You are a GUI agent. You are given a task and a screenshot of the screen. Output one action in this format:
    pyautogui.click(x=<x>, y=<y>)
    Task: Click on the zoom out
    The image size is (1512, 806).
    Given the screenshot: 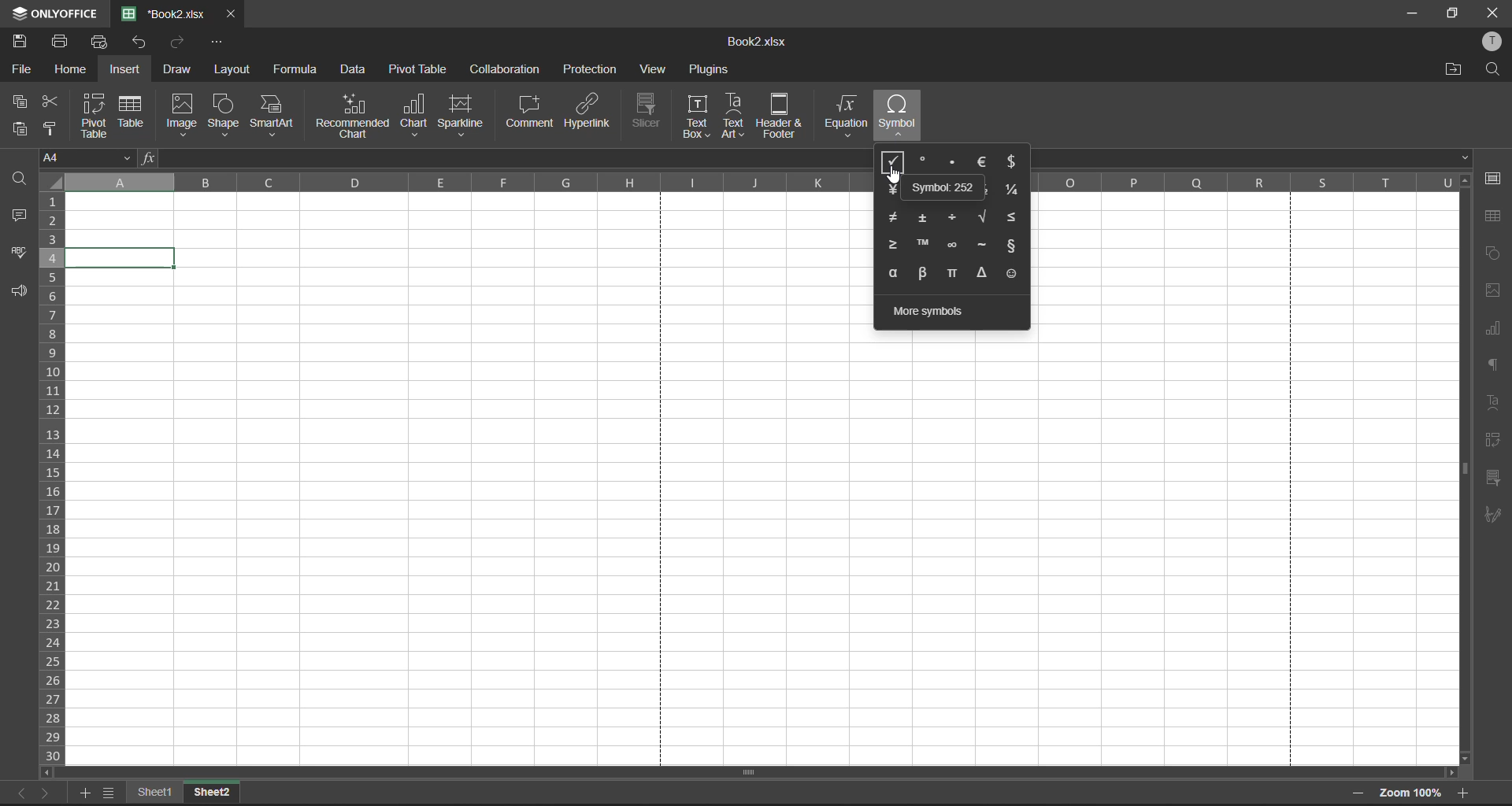 What is the action you would take?
    pyautogui.click(x=1352, y=794)
    